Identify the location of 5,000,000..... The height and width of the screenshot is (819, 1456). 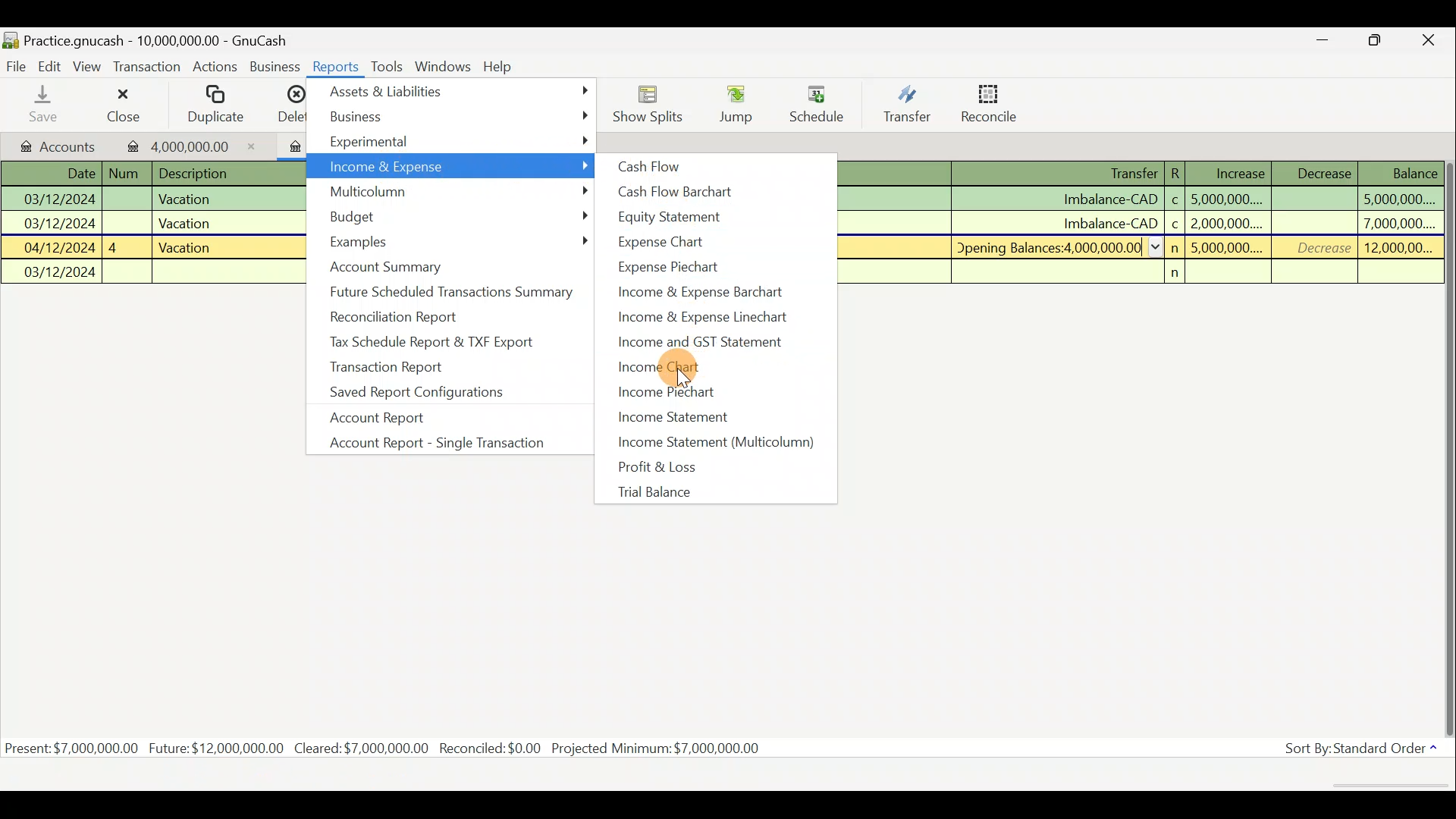
(1398, 199).